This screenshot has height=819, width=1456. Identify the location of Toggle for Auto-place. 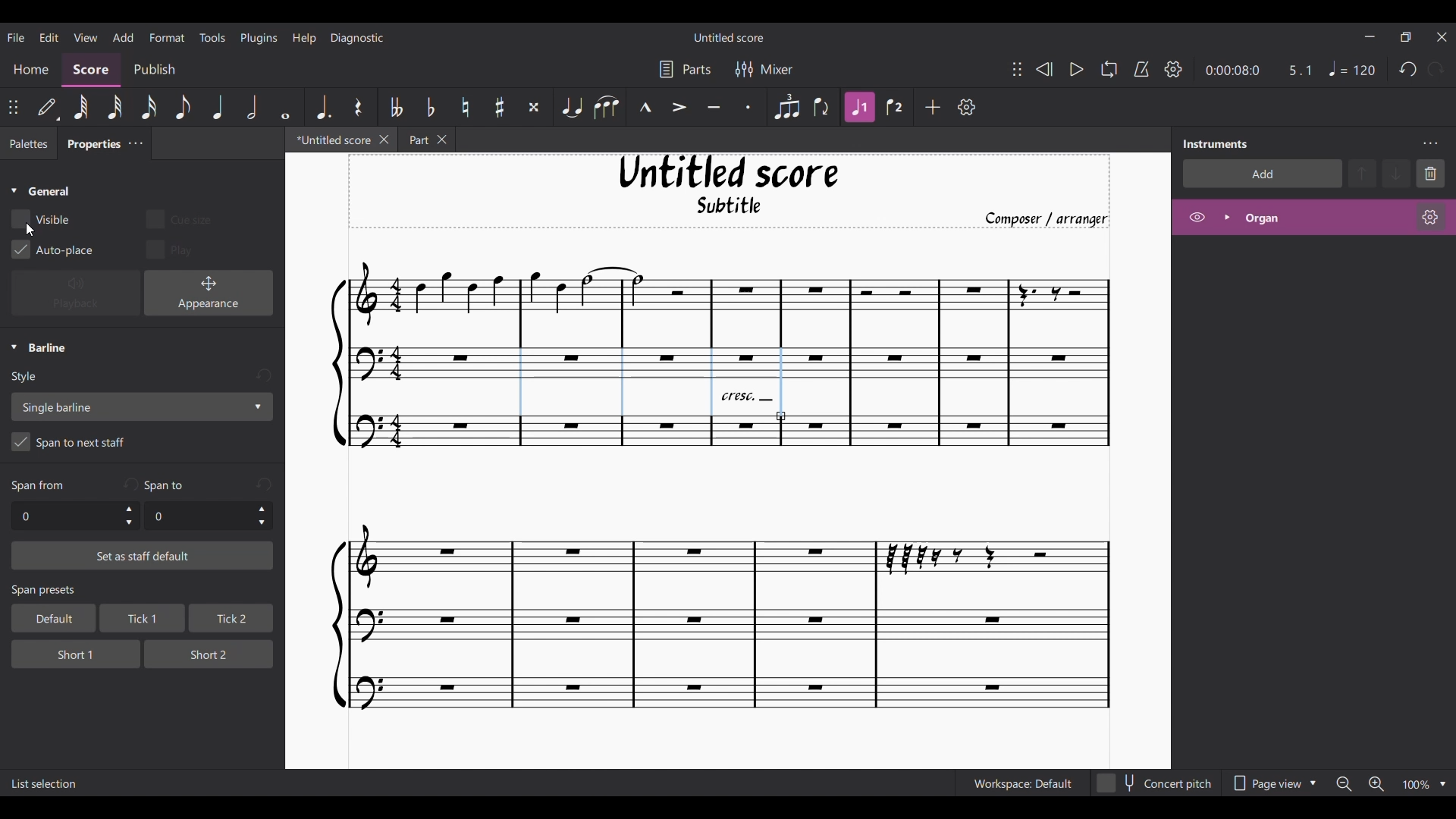
(53, 249).